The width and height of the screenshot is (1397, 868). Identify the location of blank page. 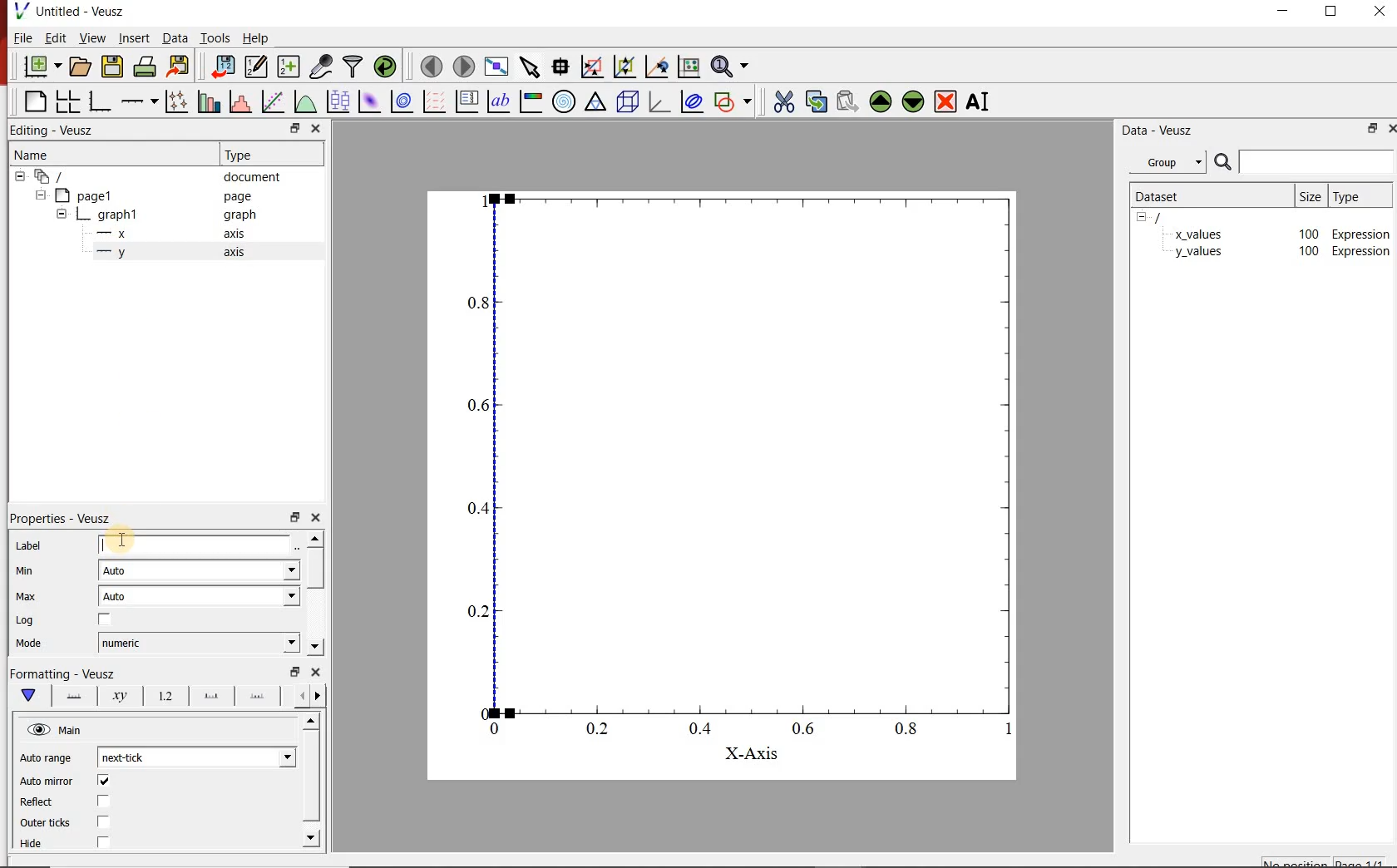
(35, 101).